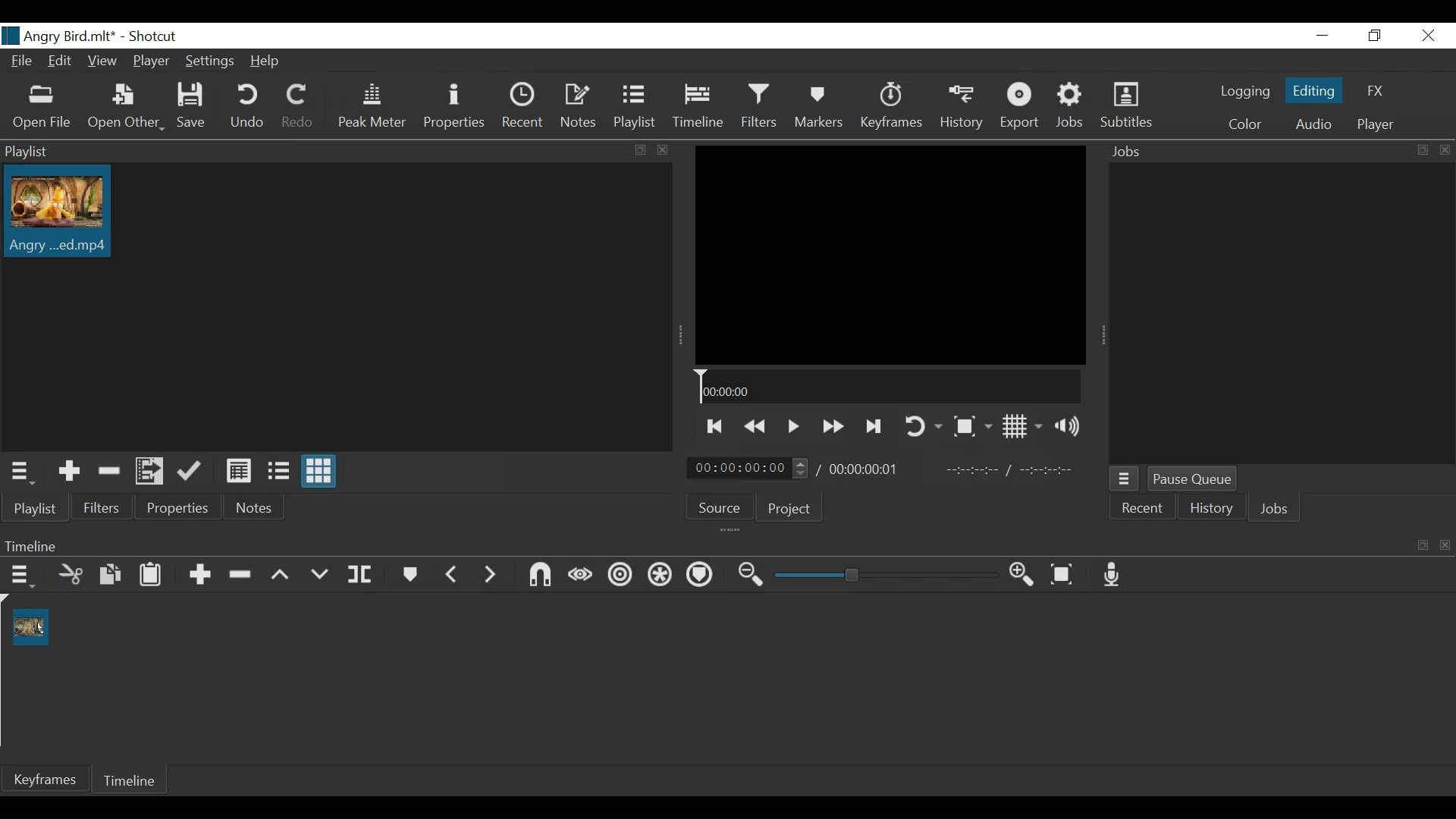  What do you see at coordinates (1281, 312) in the screenshot?
I see `Jobs Panel` at bounding box center [1281, 312].